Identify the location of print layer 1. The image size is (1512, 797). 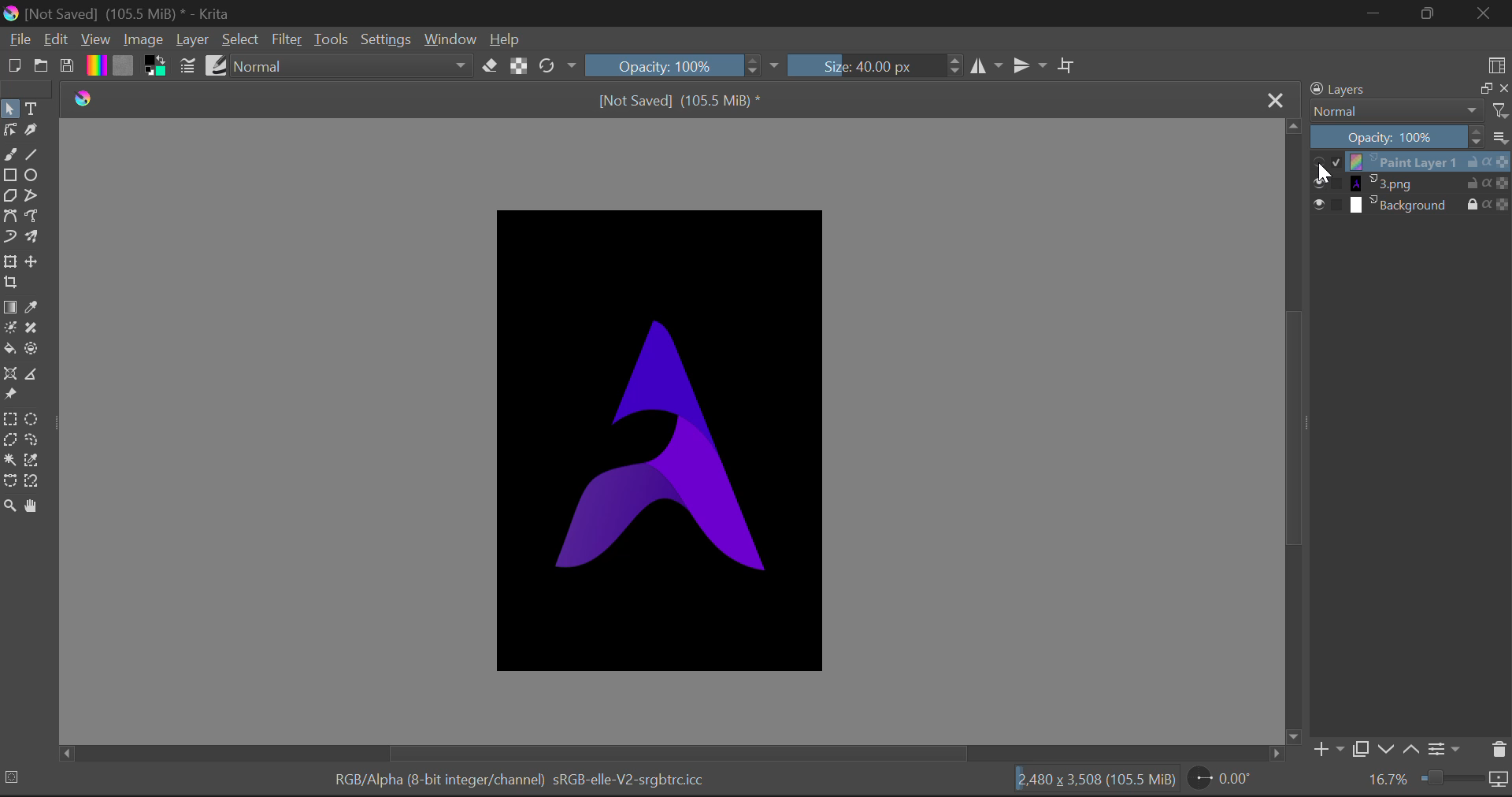
(1403, 161).